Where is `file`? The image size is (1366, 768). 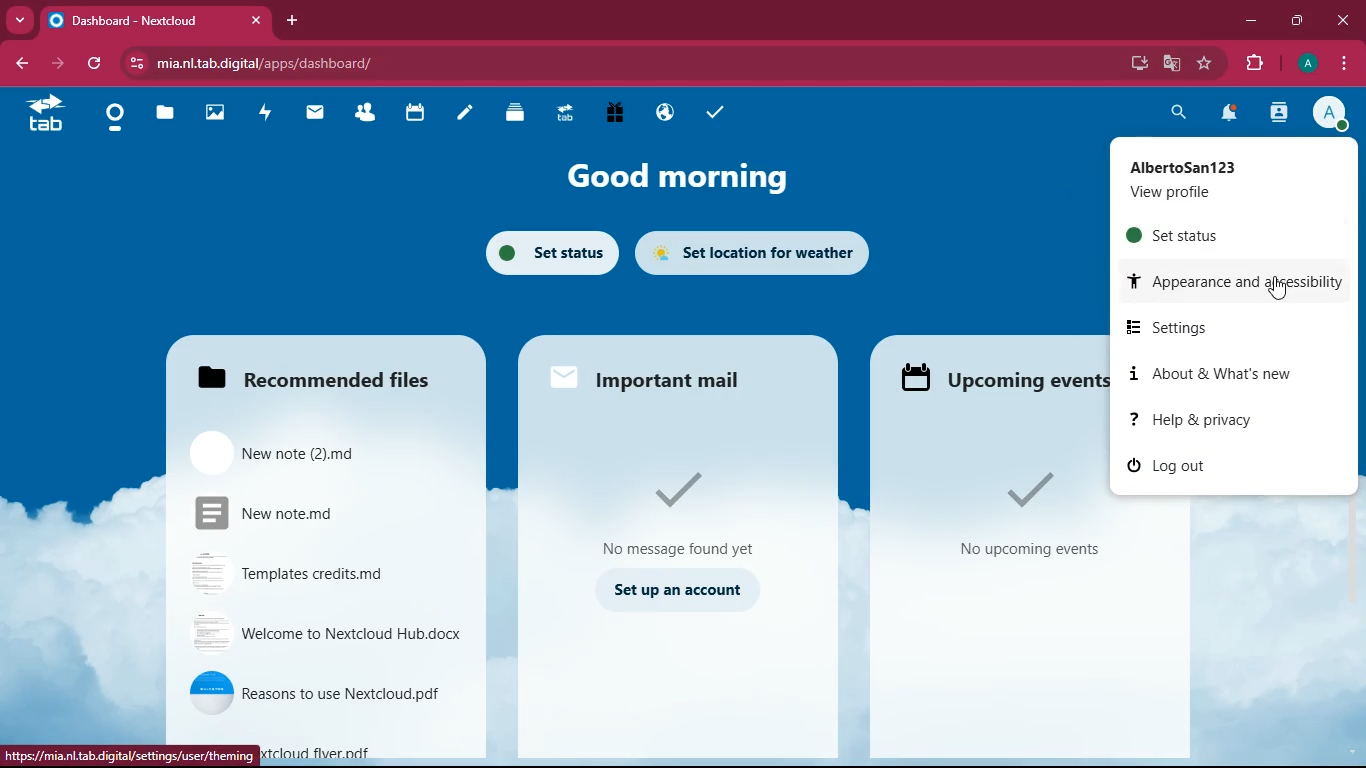
file is located at coordinates (298, 452).